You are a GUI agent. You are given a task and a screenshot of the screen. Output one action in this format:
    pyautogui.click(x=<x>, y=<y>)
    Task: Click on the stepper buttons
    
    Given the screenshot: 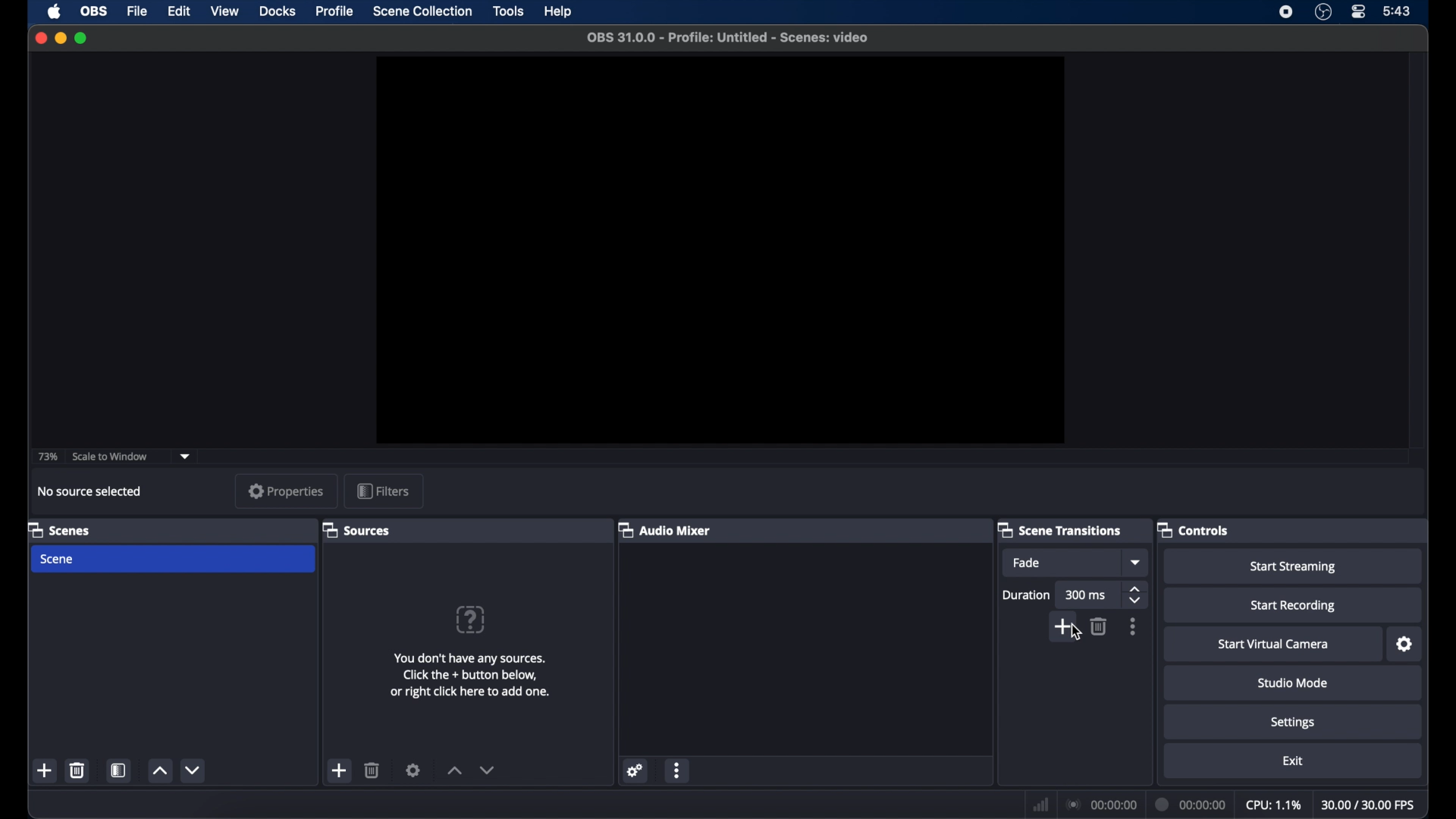 What is the action you would take?
    pyautogui.click(x=1136, y=595)
    